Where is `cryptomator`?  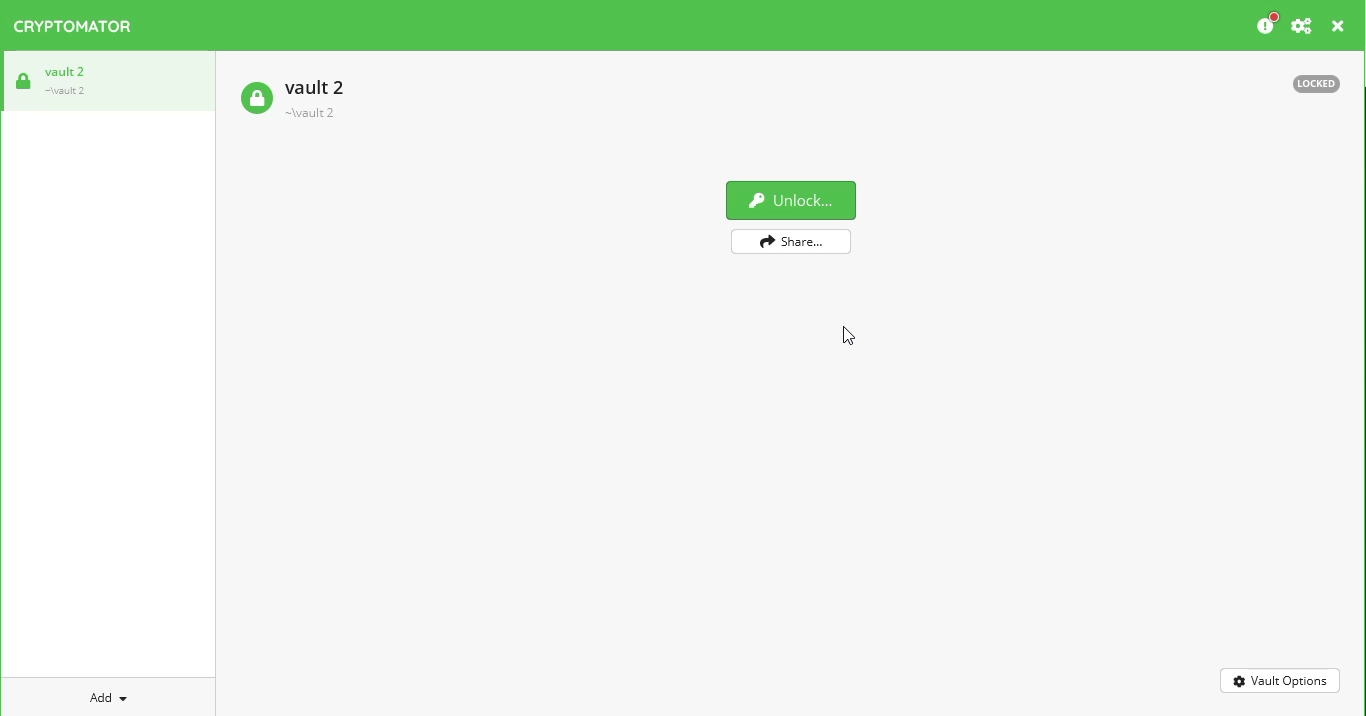
cryptomator is located at coordinates (73, 27).